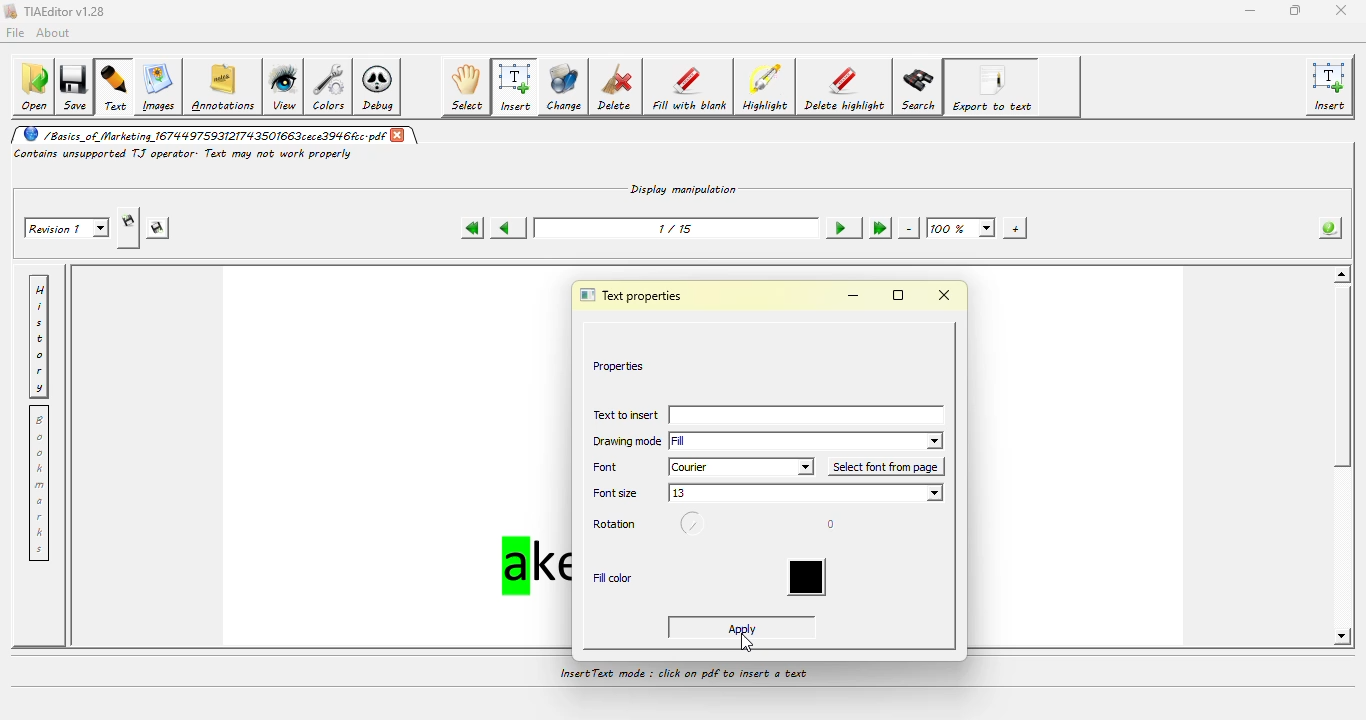 This screenshot has height=720, width=1366. Describe the element at coordinates (401, 136) in the screenshot. I see `close` at that location.